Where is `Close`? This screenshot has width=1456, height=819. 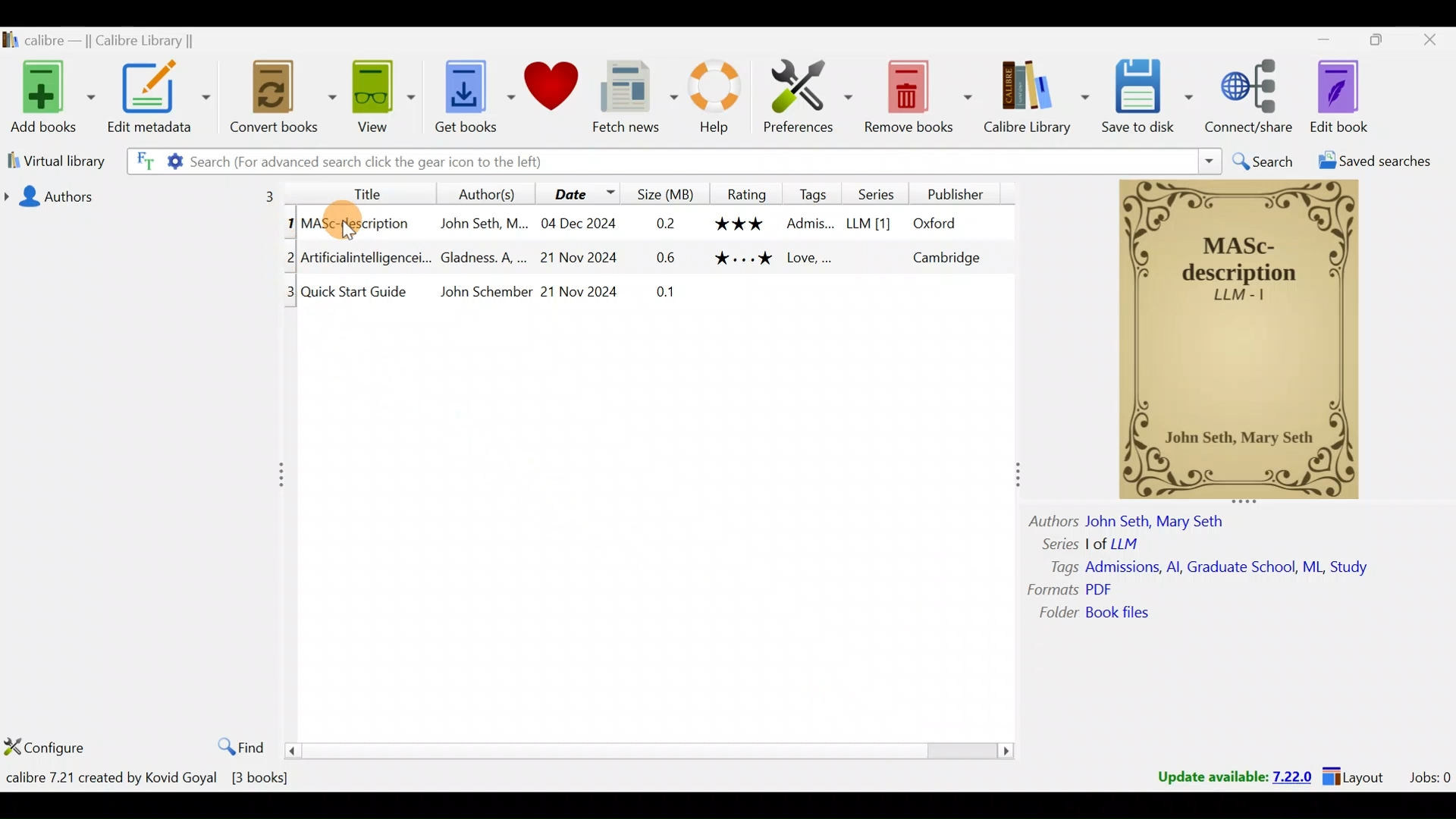
Close is located at coordinates (1432, 40).